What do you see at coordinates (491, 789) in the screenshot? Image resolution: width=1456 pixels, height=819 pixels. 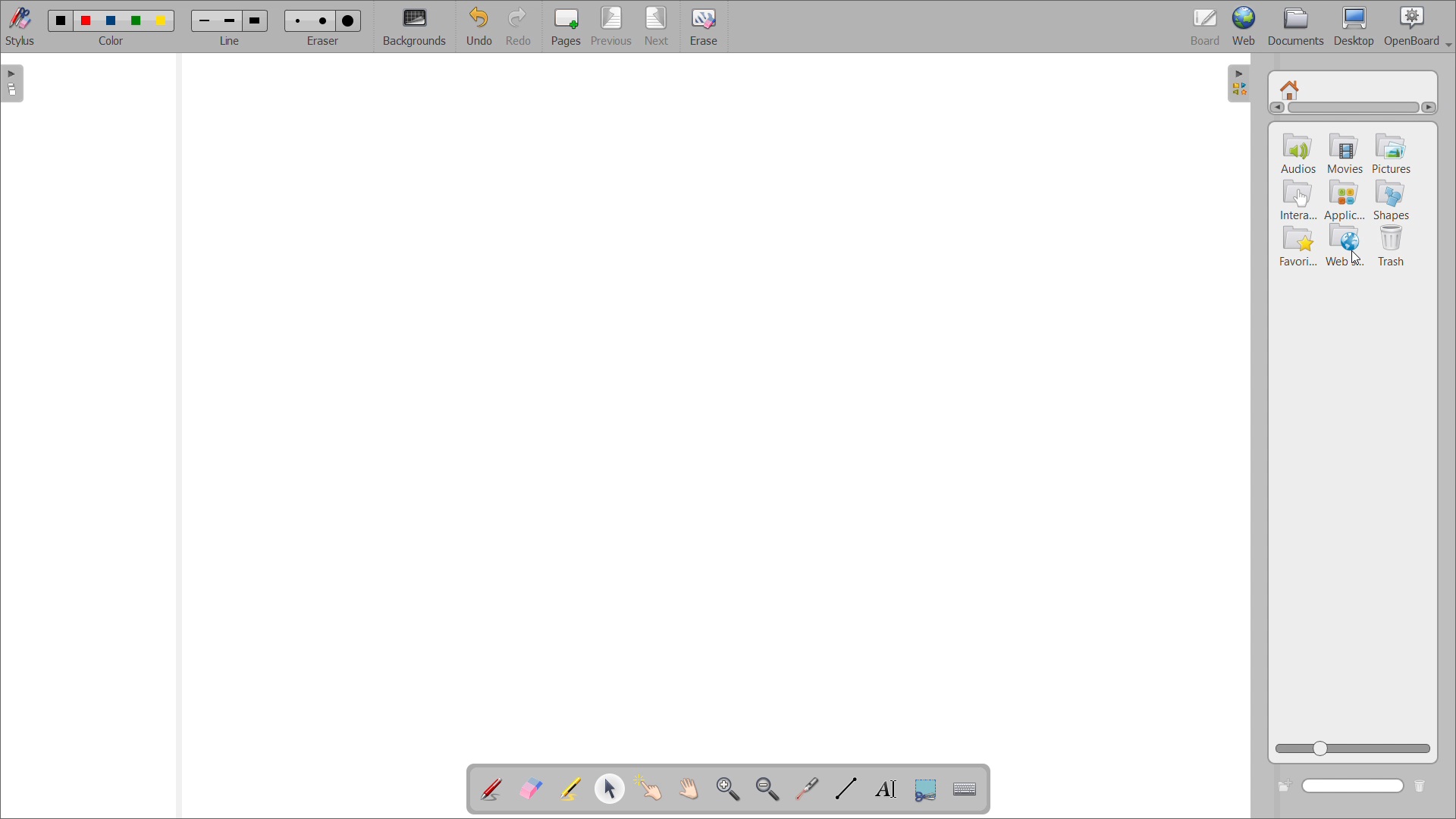 I see `add annotation` at bounding box center [491, 789].